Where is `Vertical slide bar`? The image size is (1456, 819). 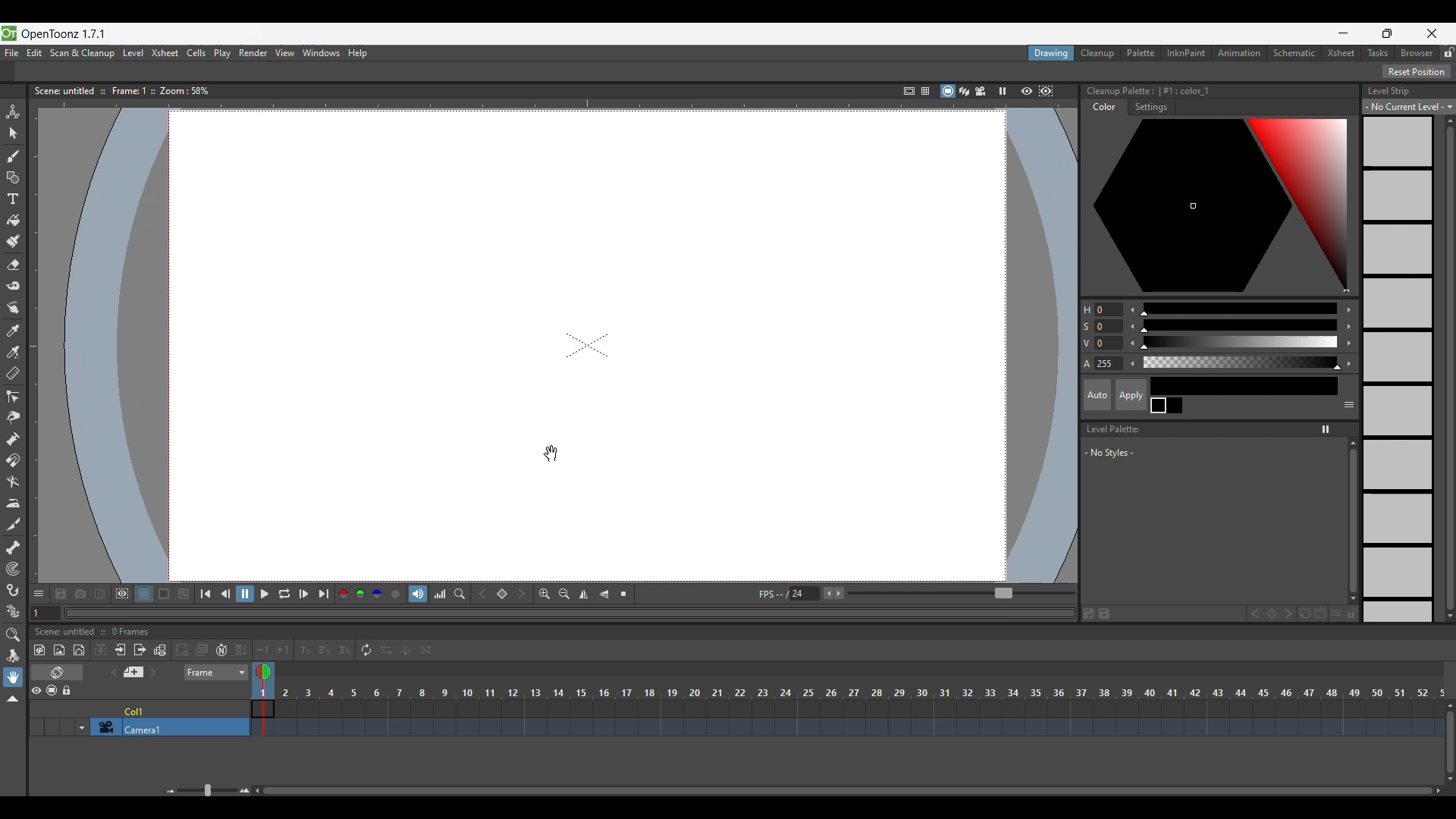 Vertical slide bar is located at coordinates (1353, 521).